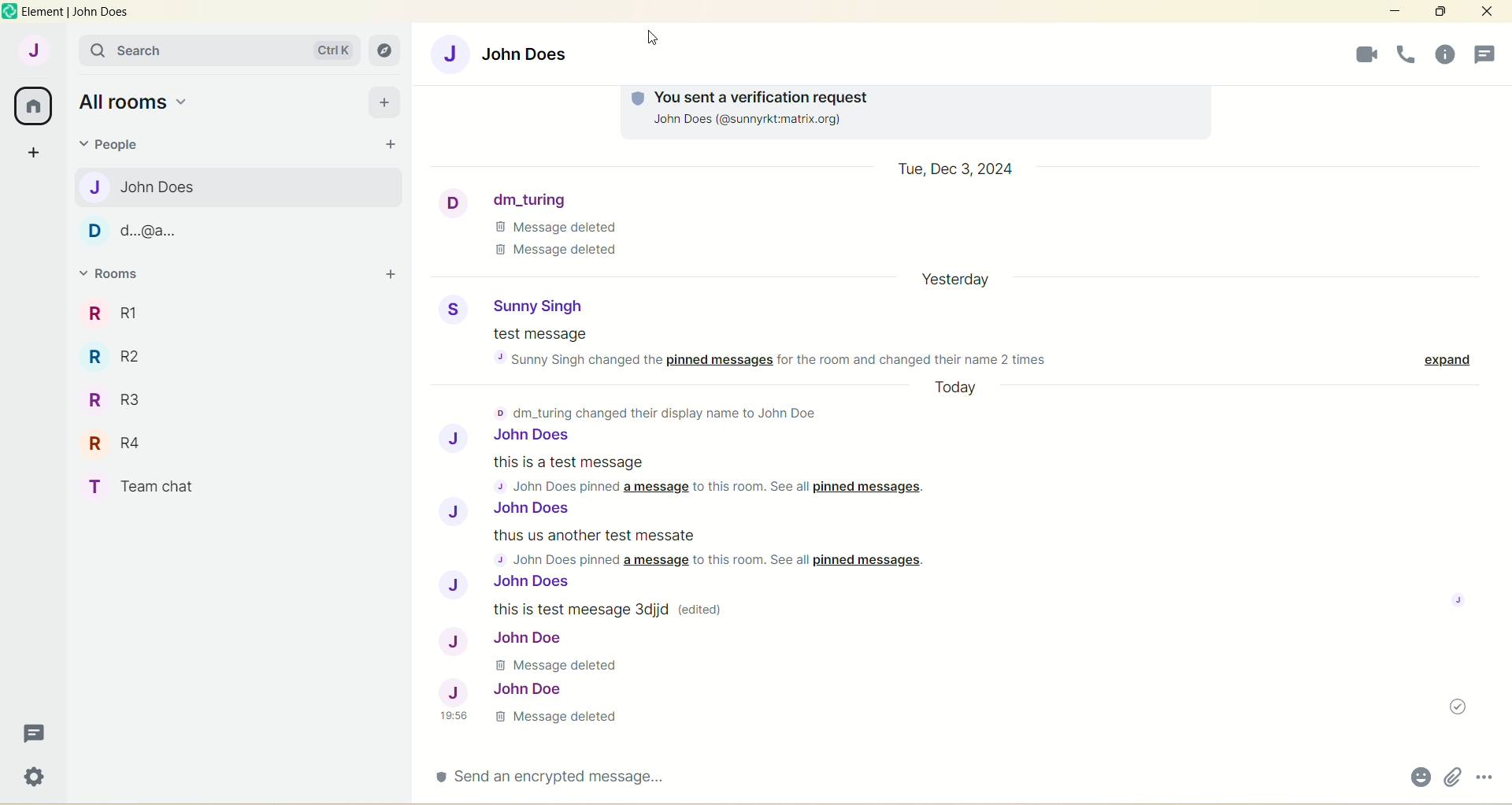 Image resolution: width=1512 pixels, height=805 pixels. I want to click on add, so click(389, 276).